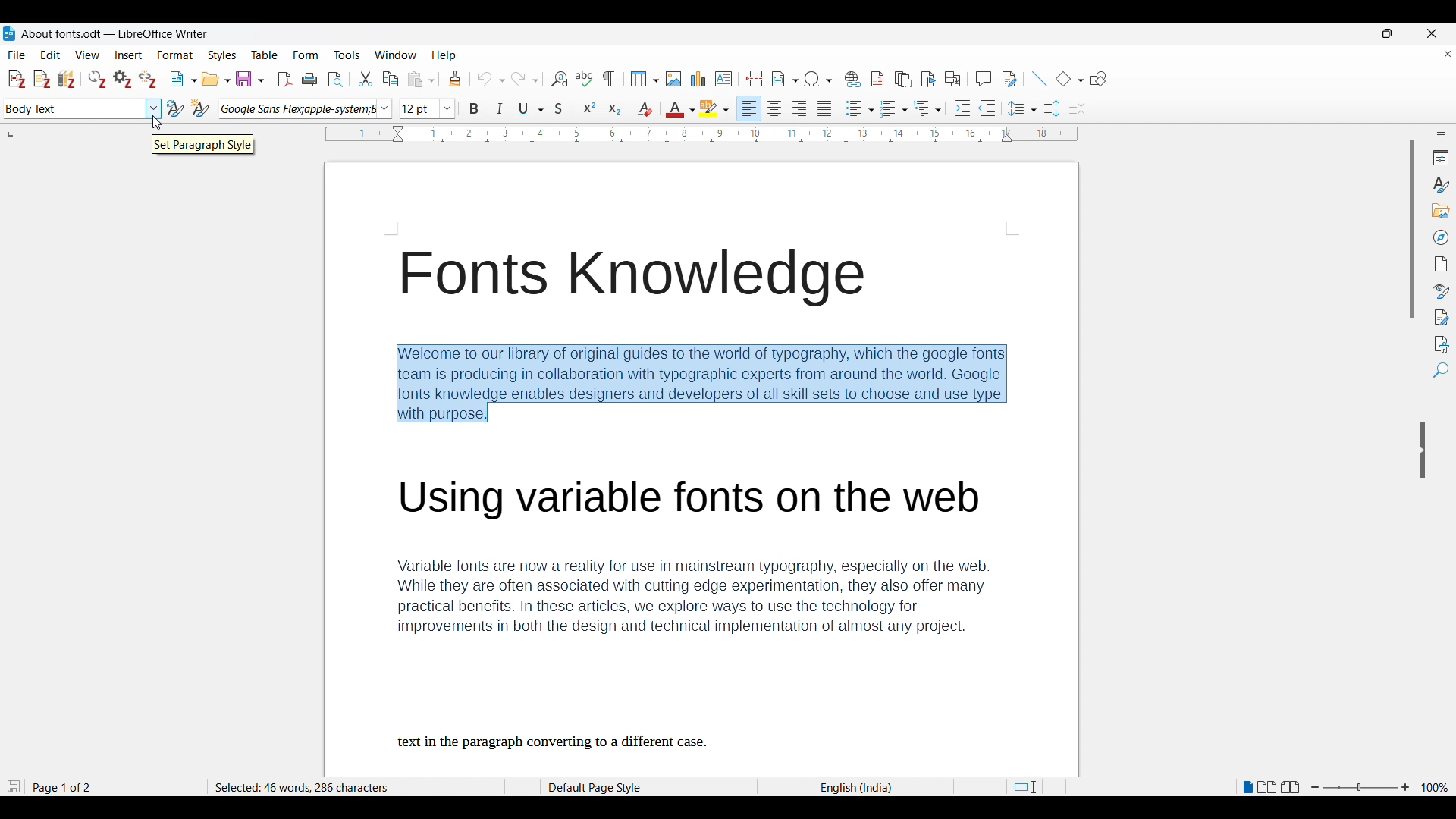 The width and height of the screenshot is (1456, 819). What do you see at coordinates (366, 79) in the screenshot?
I see `Cut` at bounding box center [366, 79].